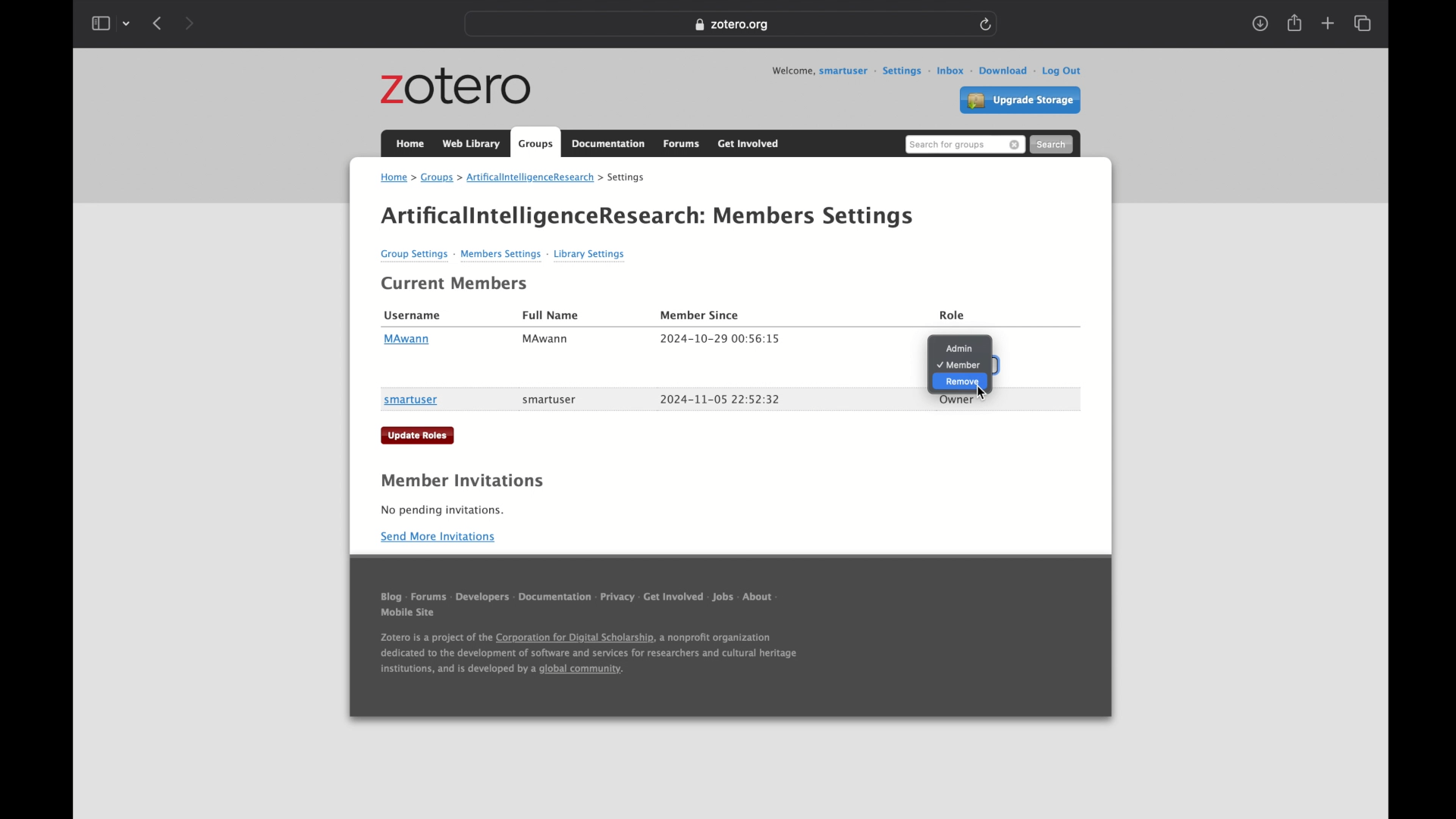  Describe the element at coordinates (439, 537) in the screenshot. I see `send more invitations` at that location.